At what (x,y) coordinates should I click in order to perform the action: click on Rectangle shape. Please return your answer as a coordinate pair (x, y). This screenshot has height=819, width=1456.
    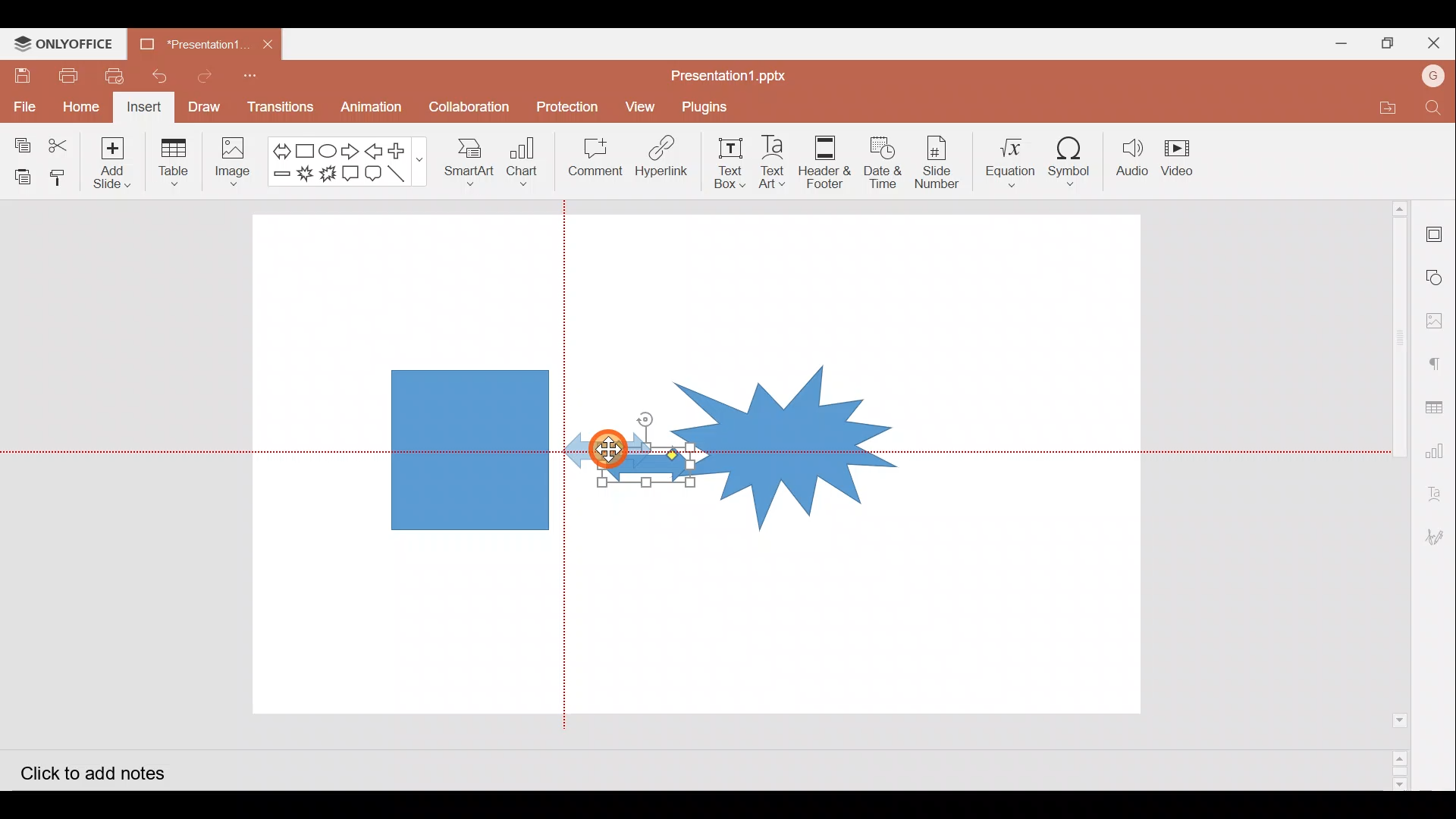
    Looking at the image, I should click on (468, 447).